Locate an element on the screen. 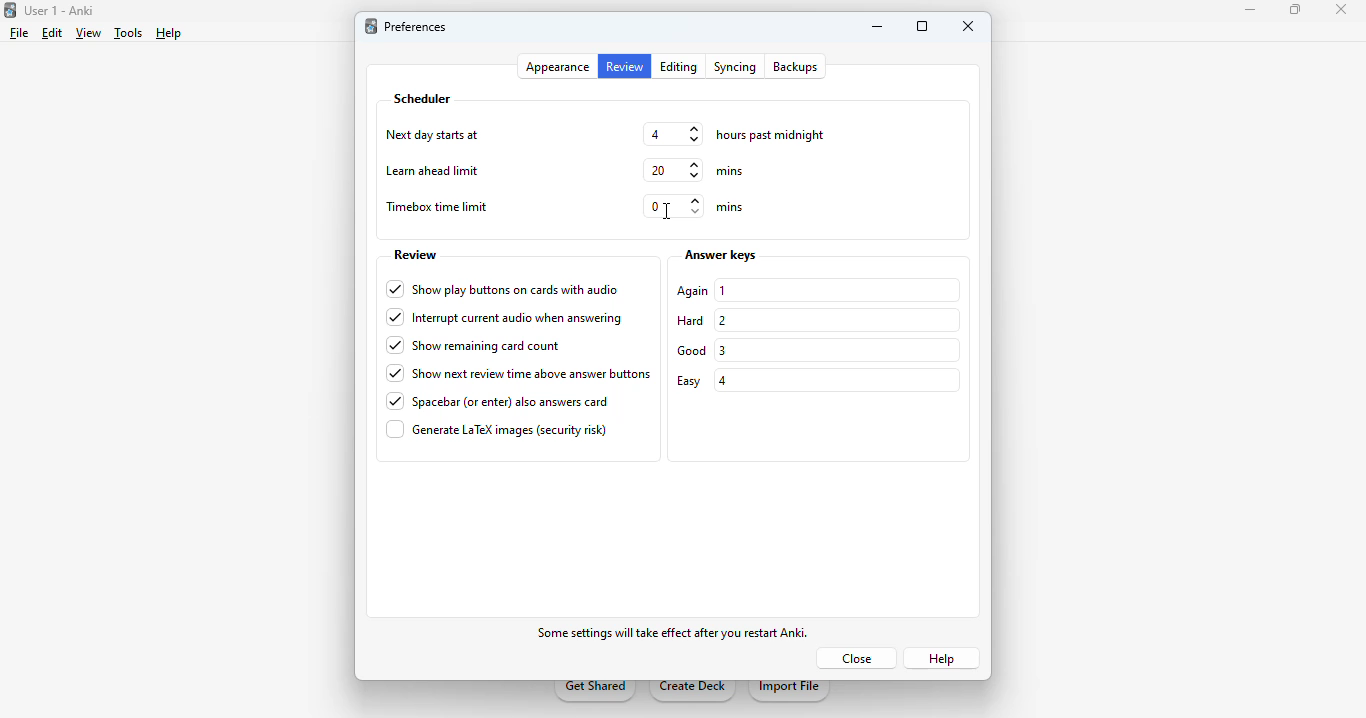 This screenshot has height=718, width=1366. close is located at coordinates (862, 658).